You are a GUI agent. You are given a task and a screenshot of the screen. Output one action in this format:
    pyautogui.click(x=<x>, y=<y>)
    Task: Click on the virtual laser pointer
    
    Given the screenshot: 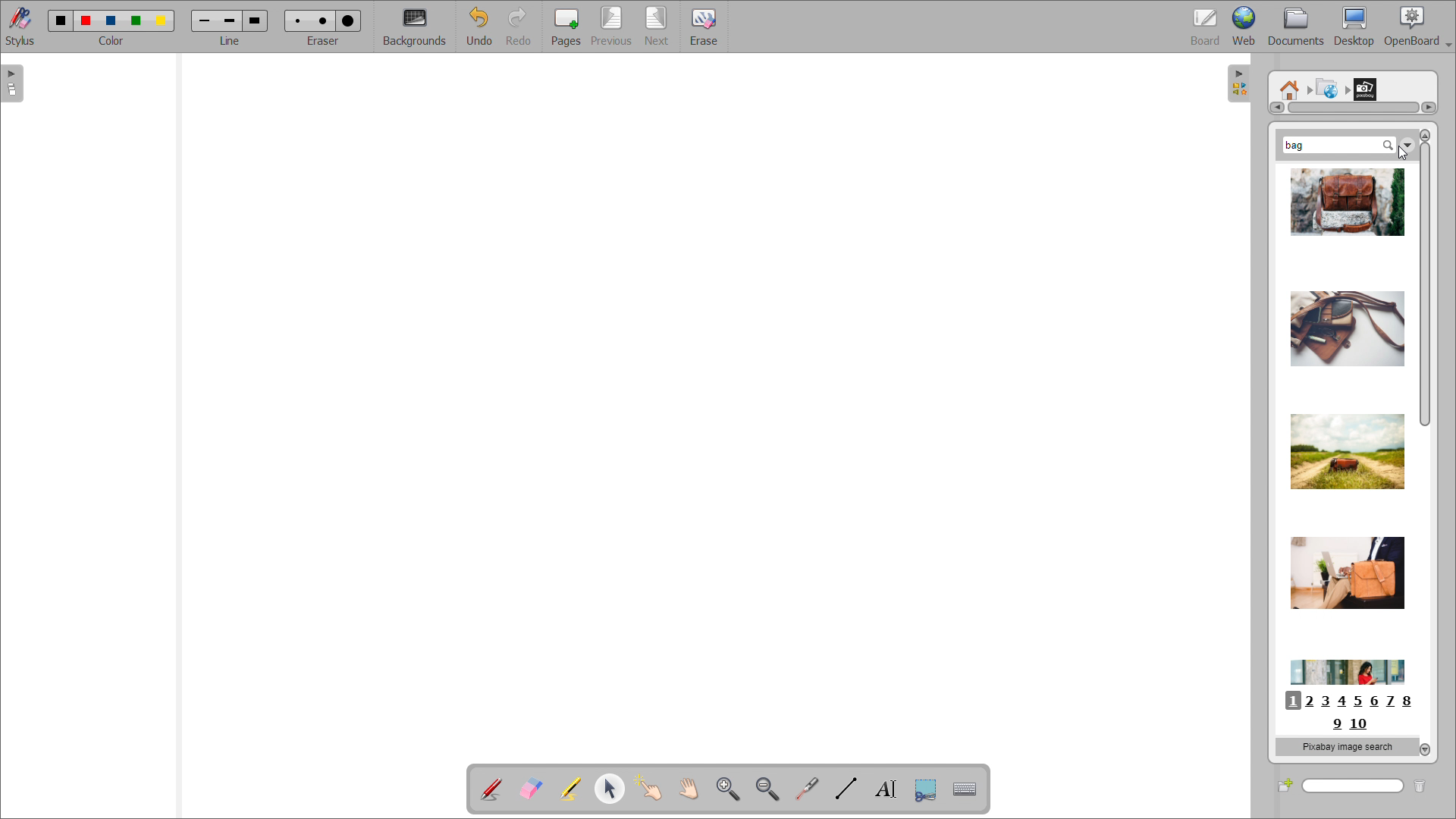 What is the action you would take?
    pyautogui.click(x=807, y=789)
    